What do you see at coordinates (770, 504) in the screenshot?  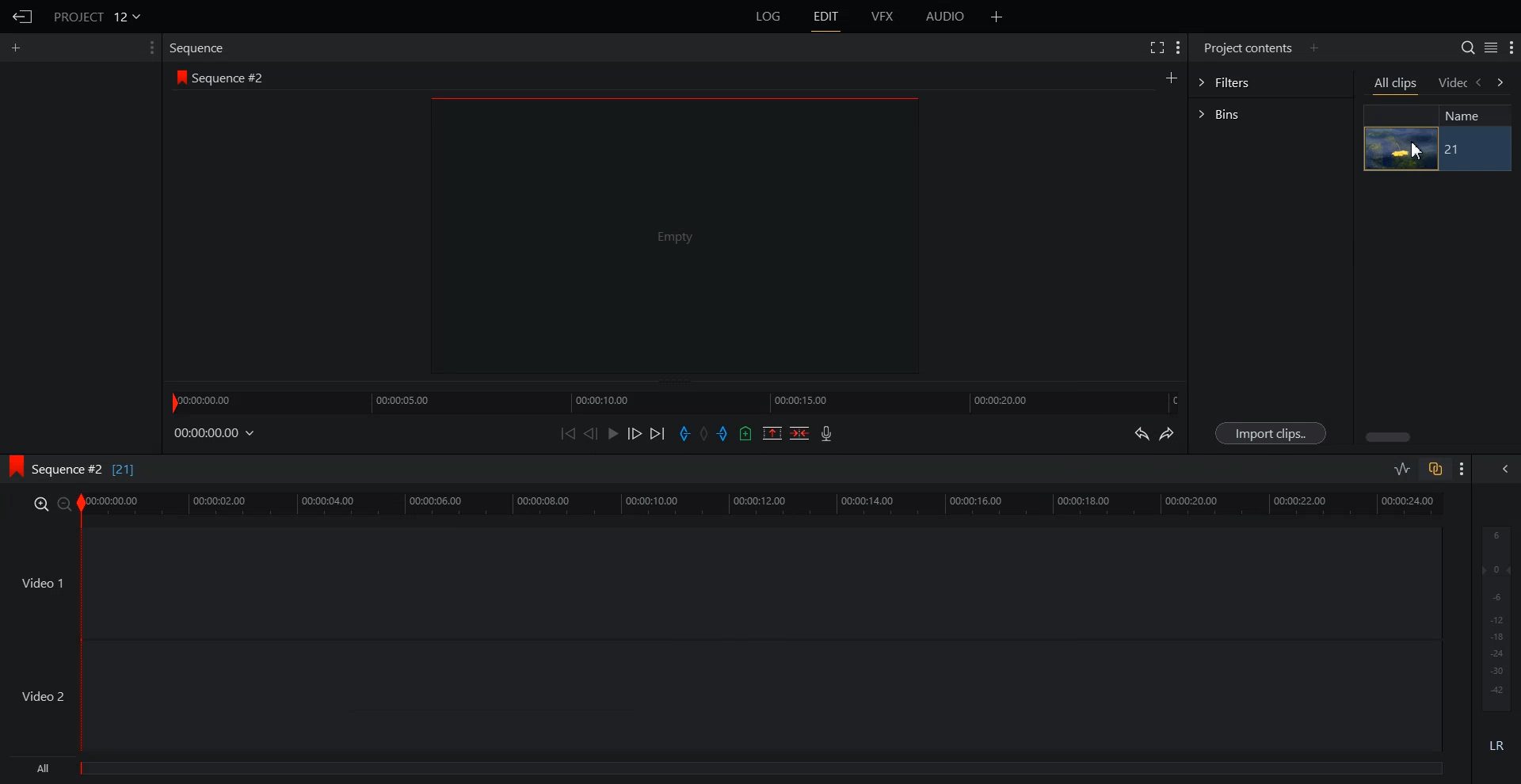 I see `Video Slider` at bounding box center [770, 504].